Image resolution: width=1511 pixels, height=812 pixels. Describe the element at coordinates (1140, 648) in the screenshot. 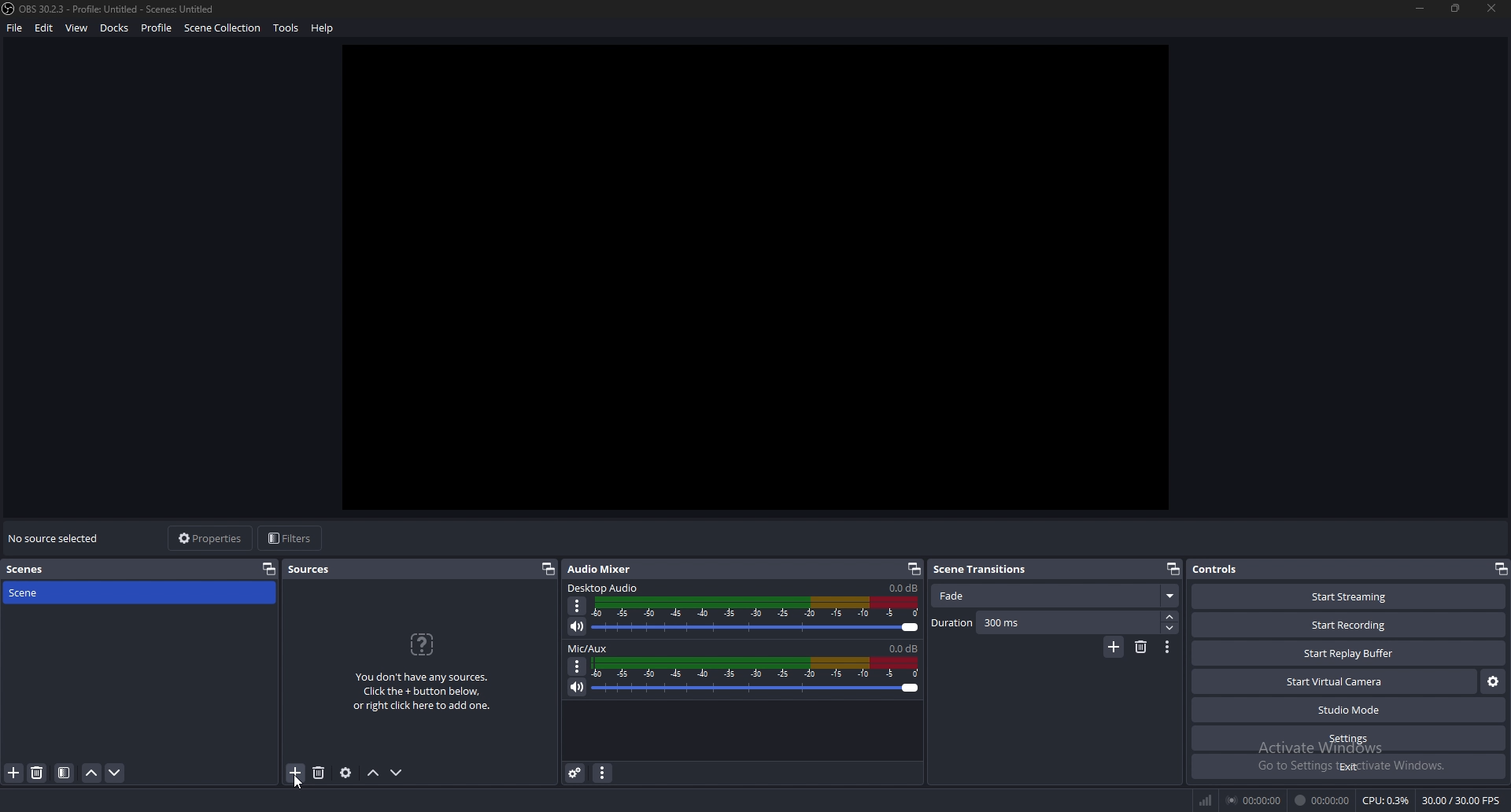

I see `remove transition` at that location.